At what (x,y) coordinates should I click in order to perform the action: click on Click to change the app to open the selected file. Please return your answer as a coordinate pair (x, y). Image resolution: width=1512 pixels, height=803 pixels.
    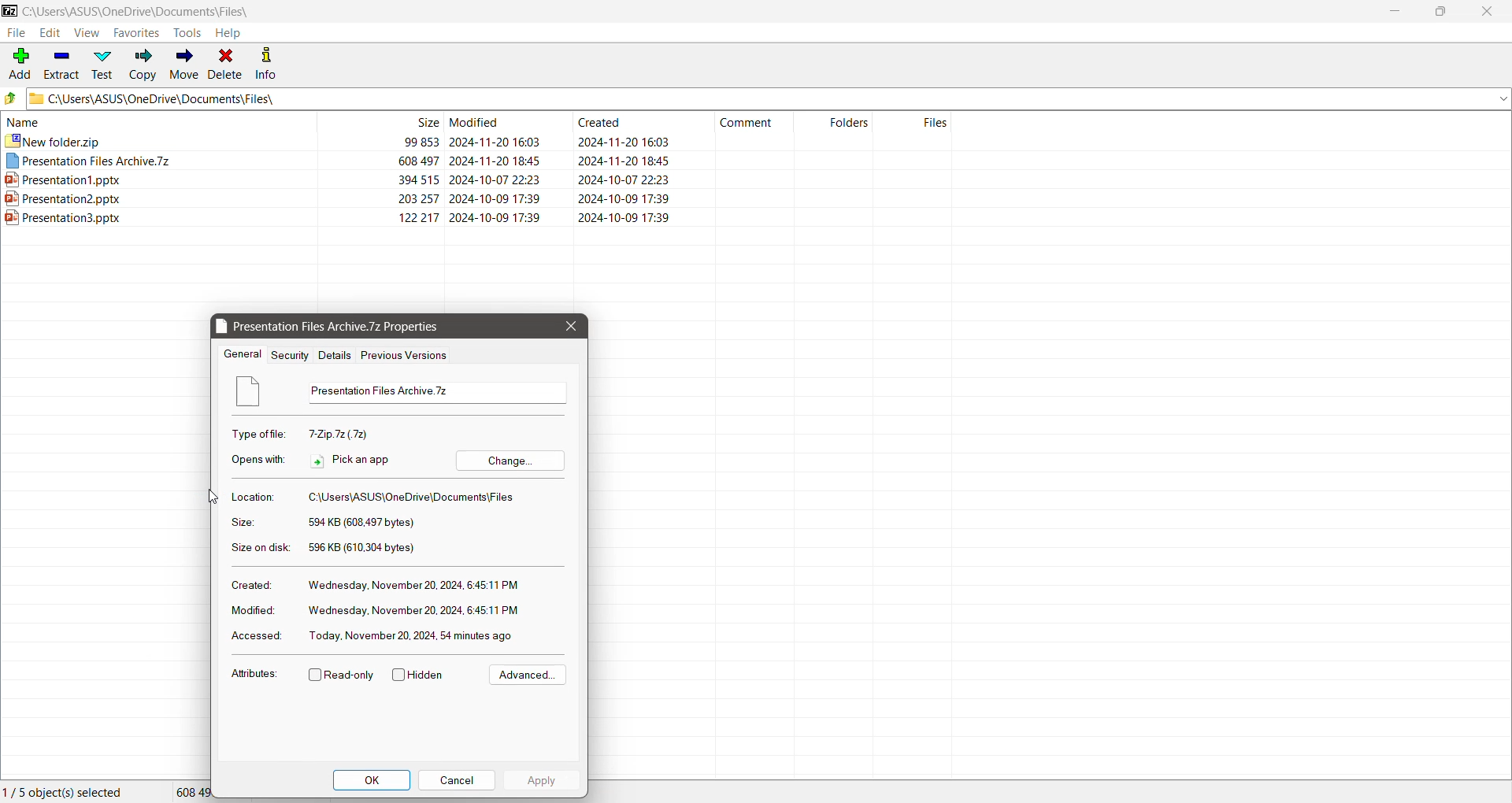
    Looking at the image, I should click on (510, 460).